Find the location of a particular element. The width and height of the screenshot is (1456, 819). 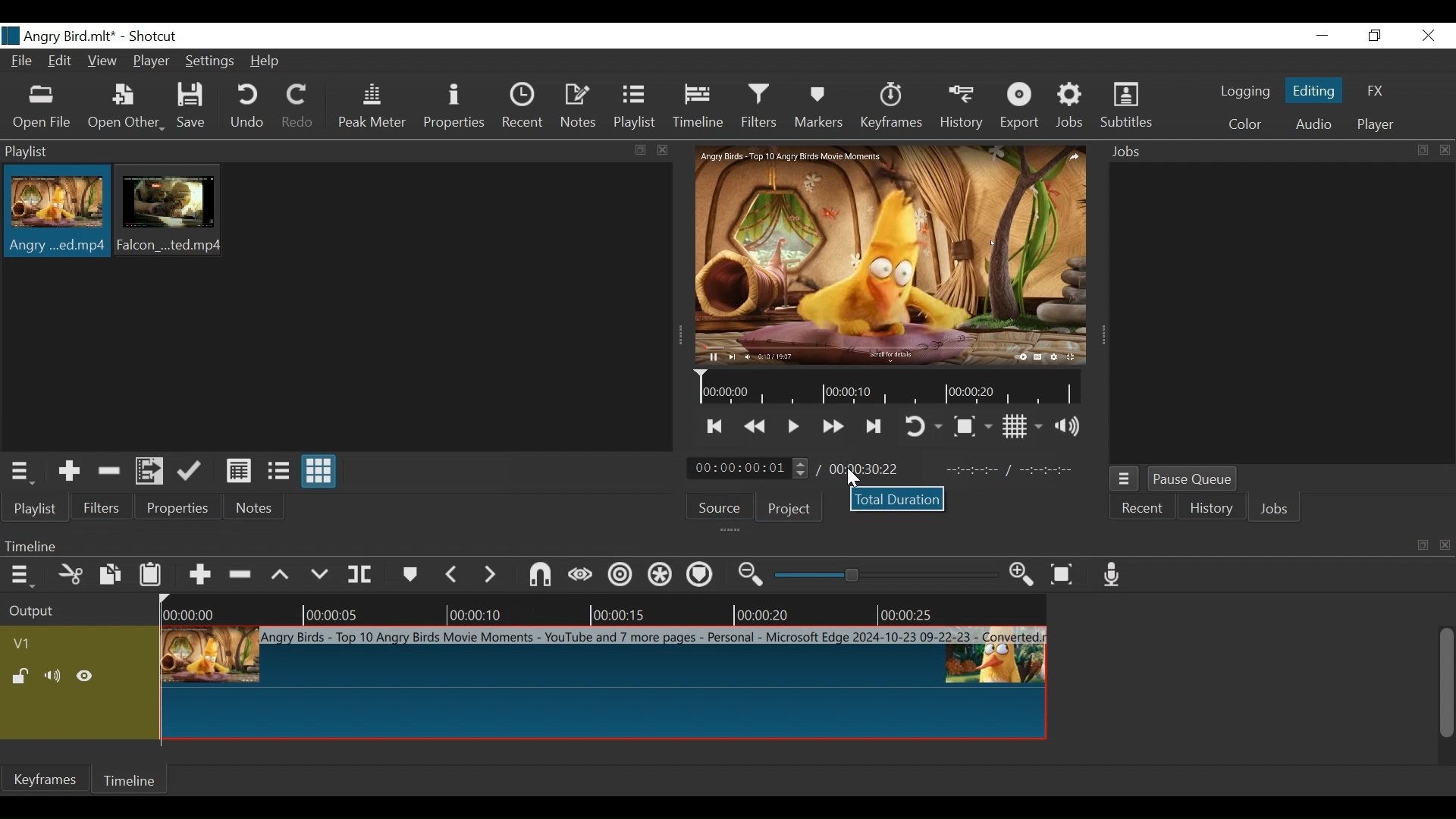

Video track name is located at coordinates (36, 642).